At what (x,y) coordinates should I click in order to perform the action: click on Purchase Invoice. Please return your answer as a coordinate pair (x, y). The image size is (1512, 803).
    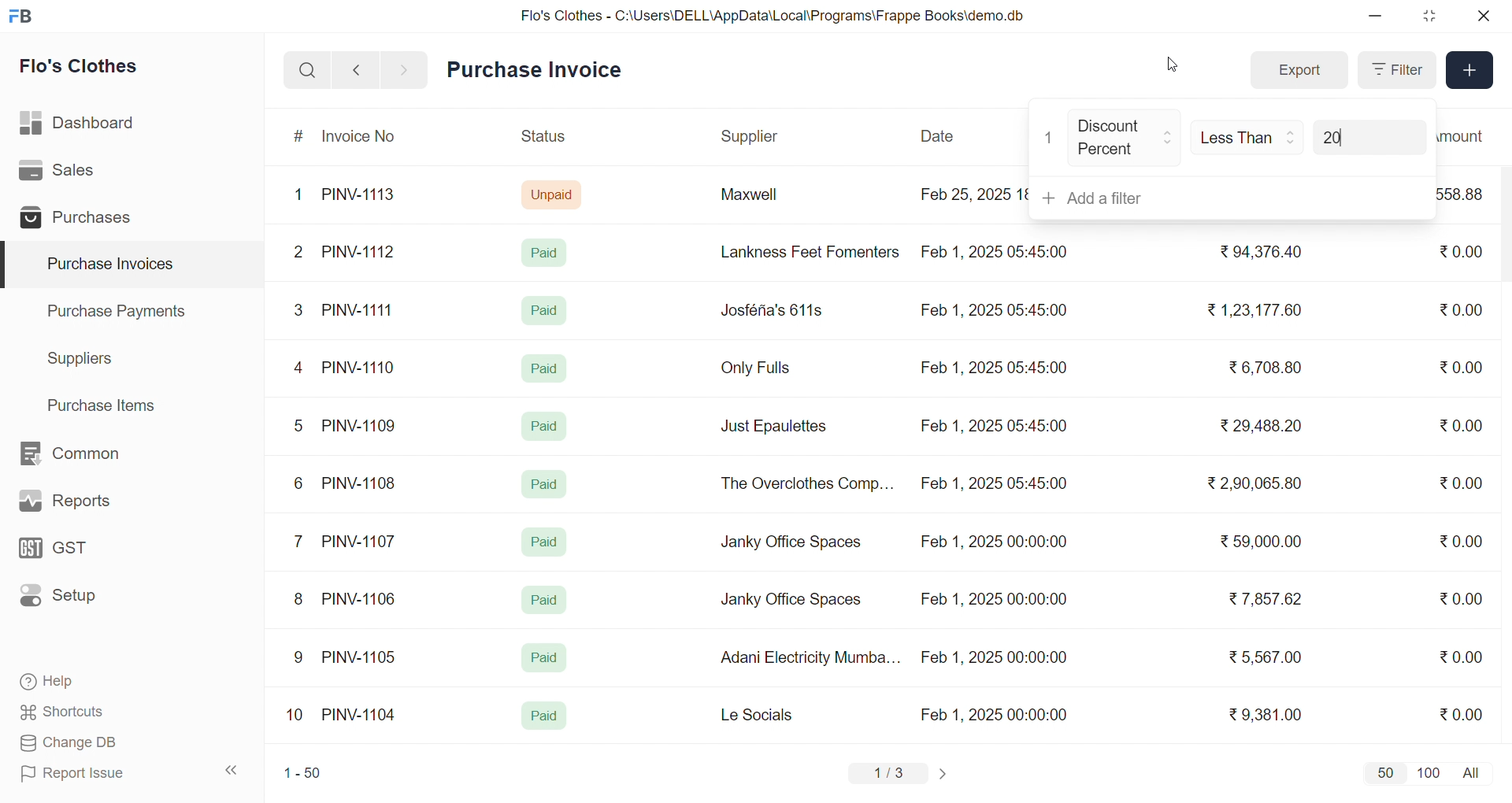
    Looking at the image, I should click on (539, 70).